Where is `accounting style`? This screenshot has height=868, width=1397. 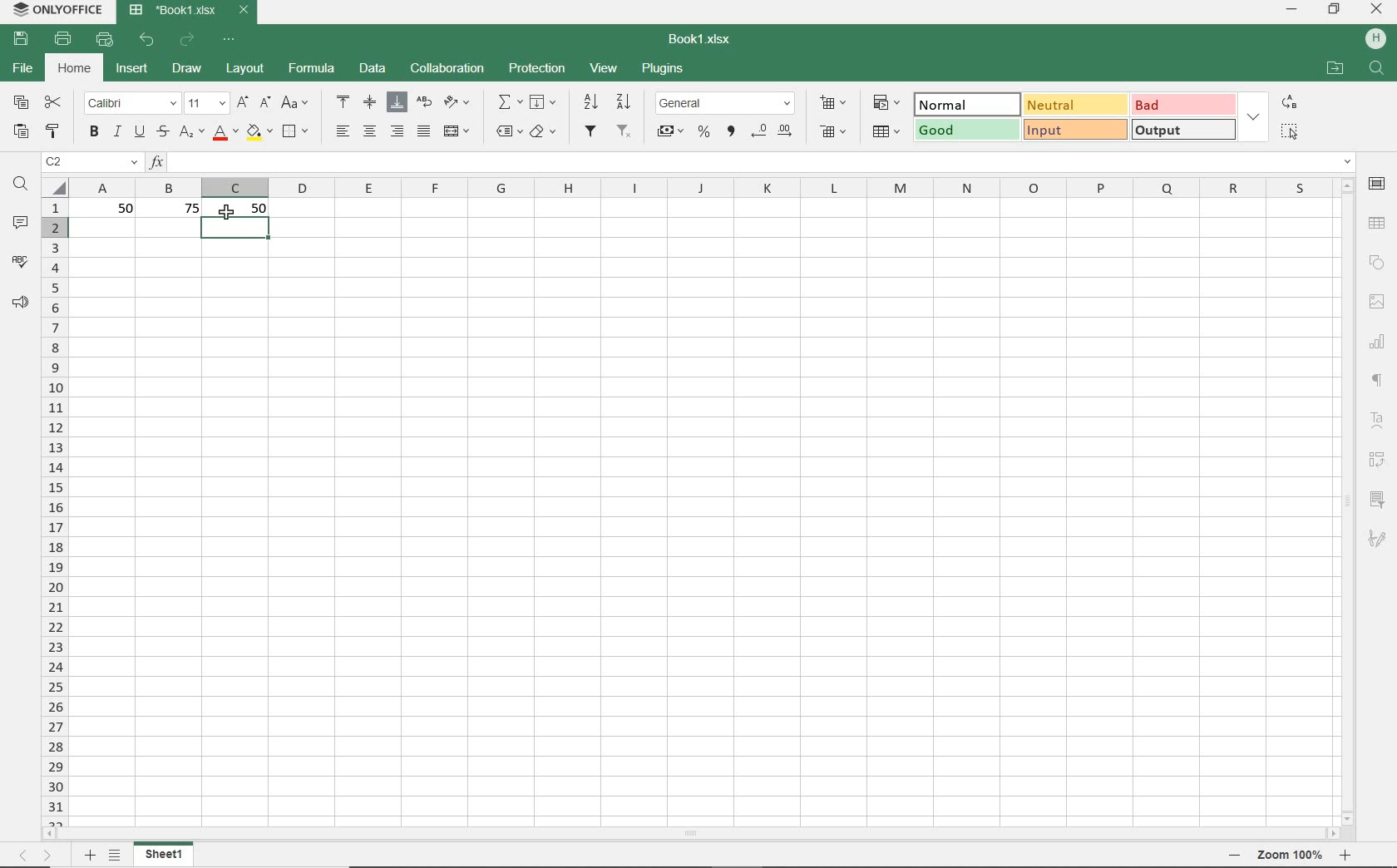
accounting style is located at coordinates (671, 131).